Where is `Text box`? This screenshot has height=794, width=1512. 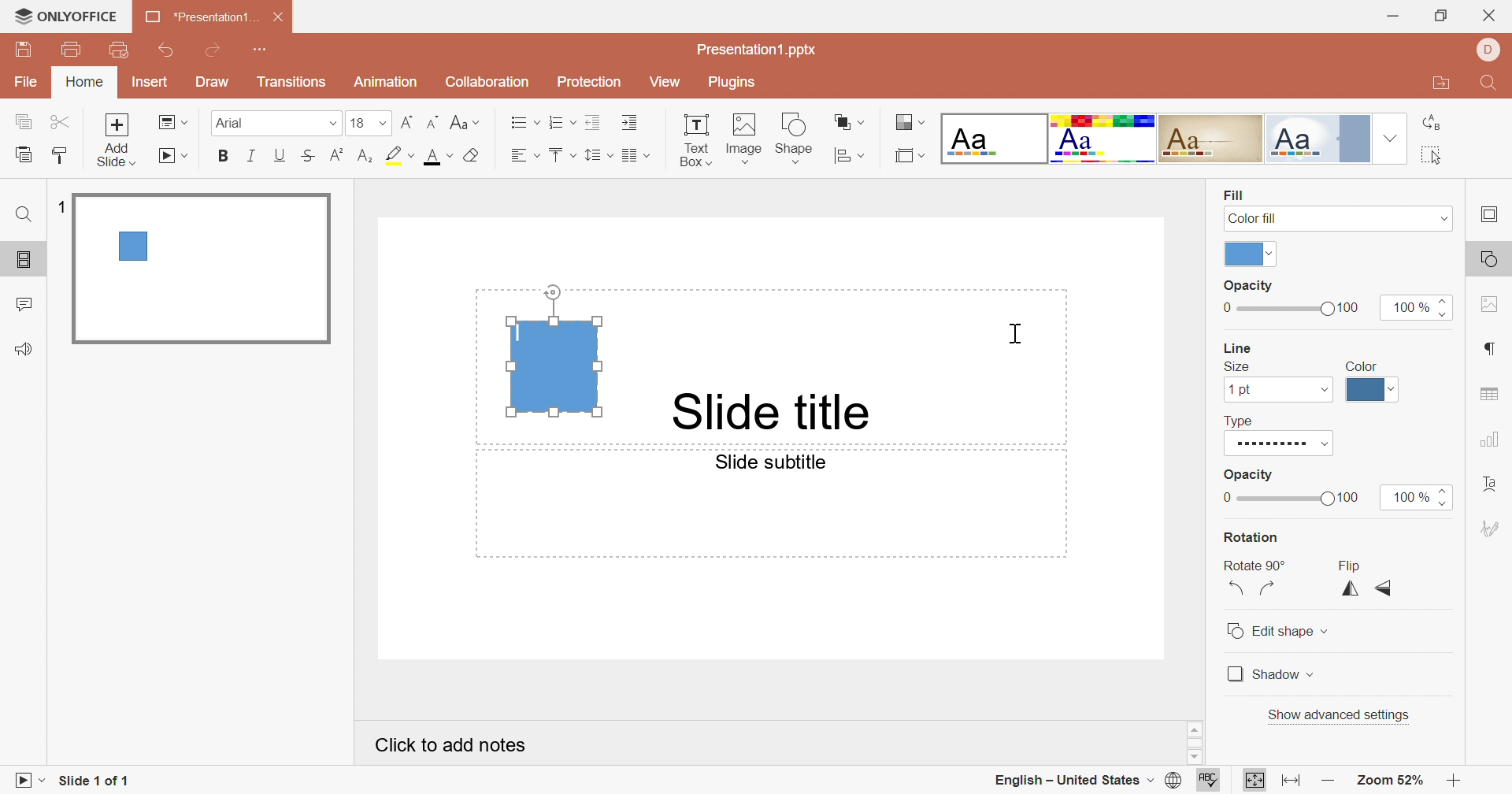 Text box is located at coordinates (551, 352).